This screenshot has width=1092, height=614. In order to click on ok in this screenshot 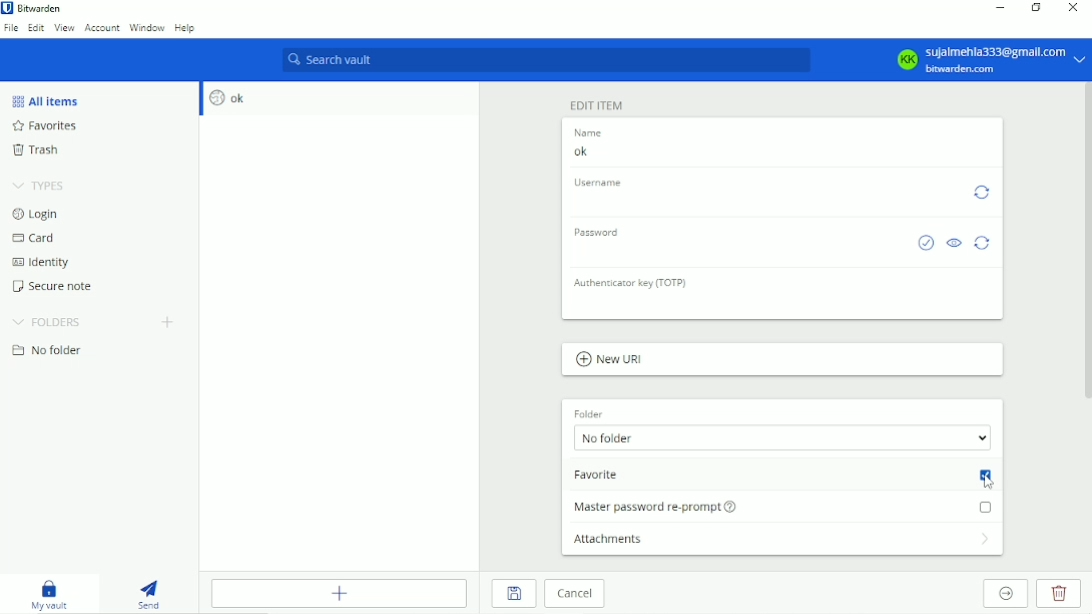, I will do `click(339, 98)`.